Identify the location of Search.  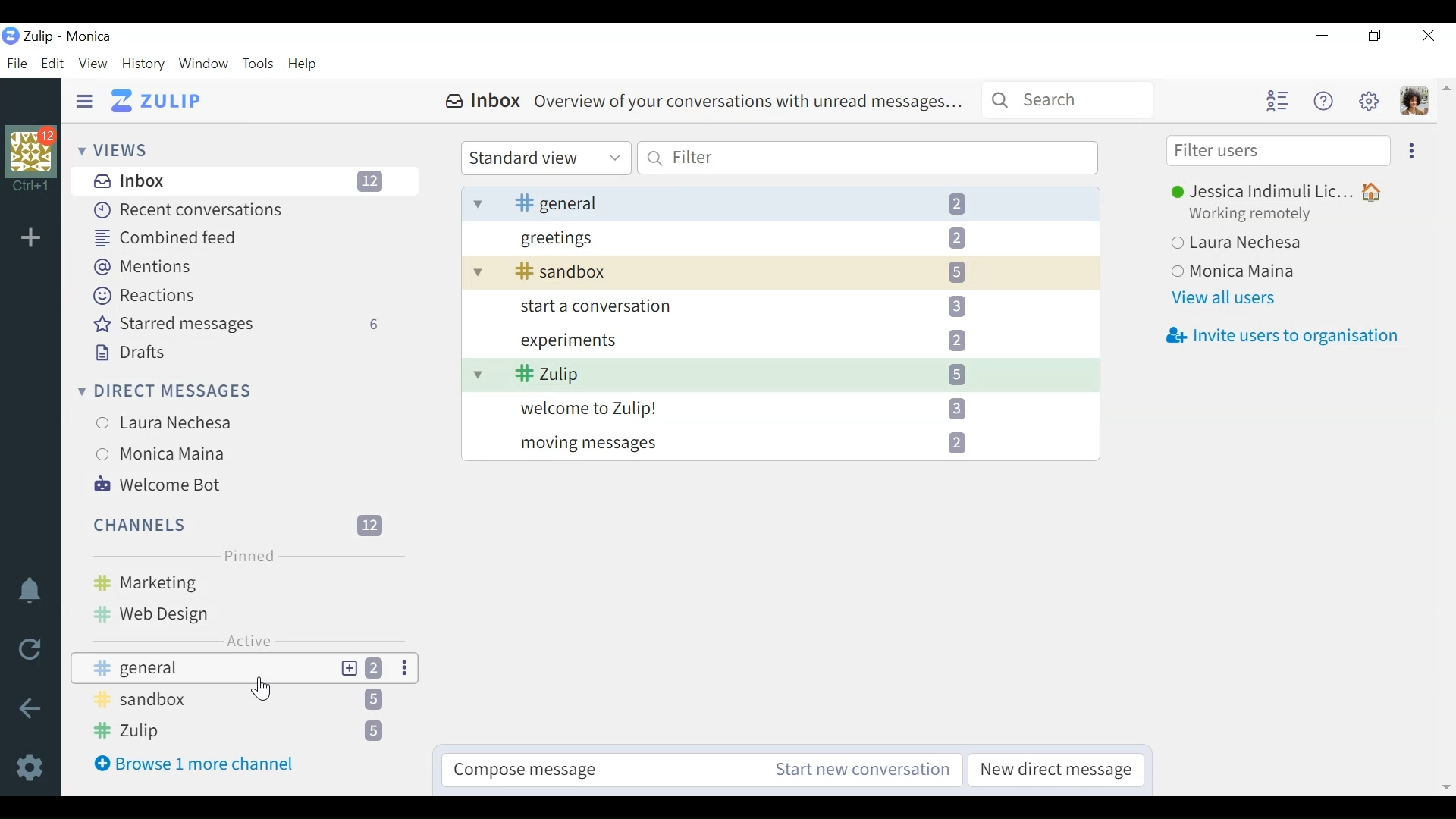
(1068, 99).